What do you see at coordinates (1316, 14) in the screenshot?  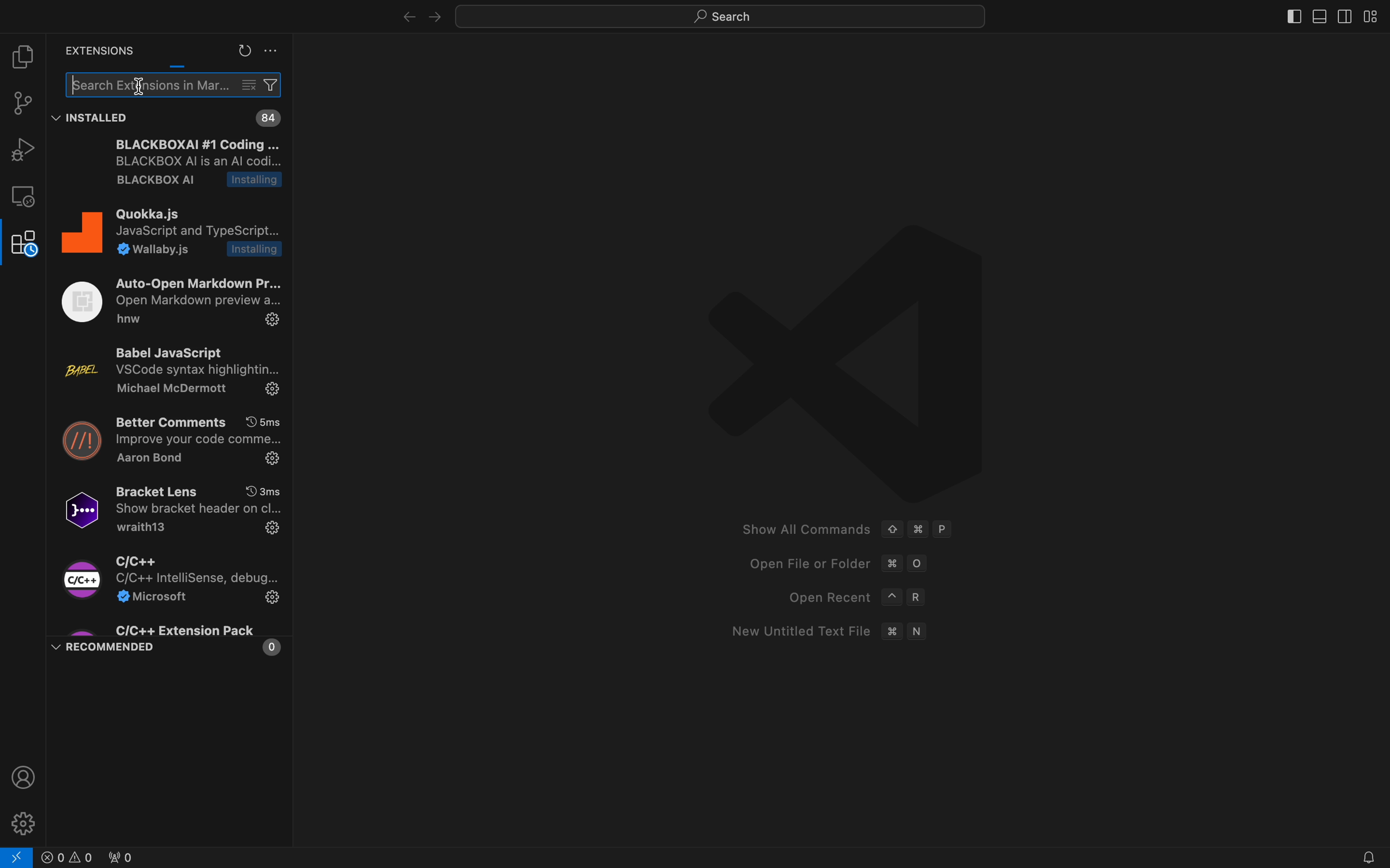 I see `toggle primary bar` at bounding box center [1316, 14].